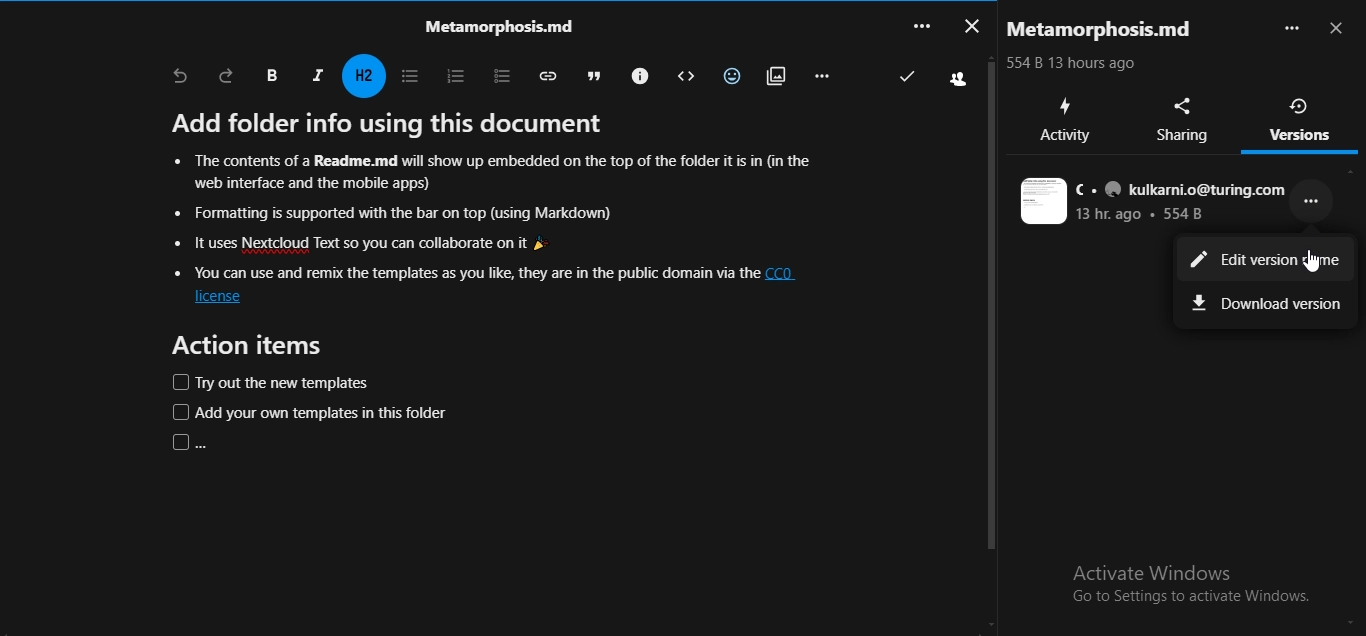  I want to click on edit version name, so click(1264, 262).